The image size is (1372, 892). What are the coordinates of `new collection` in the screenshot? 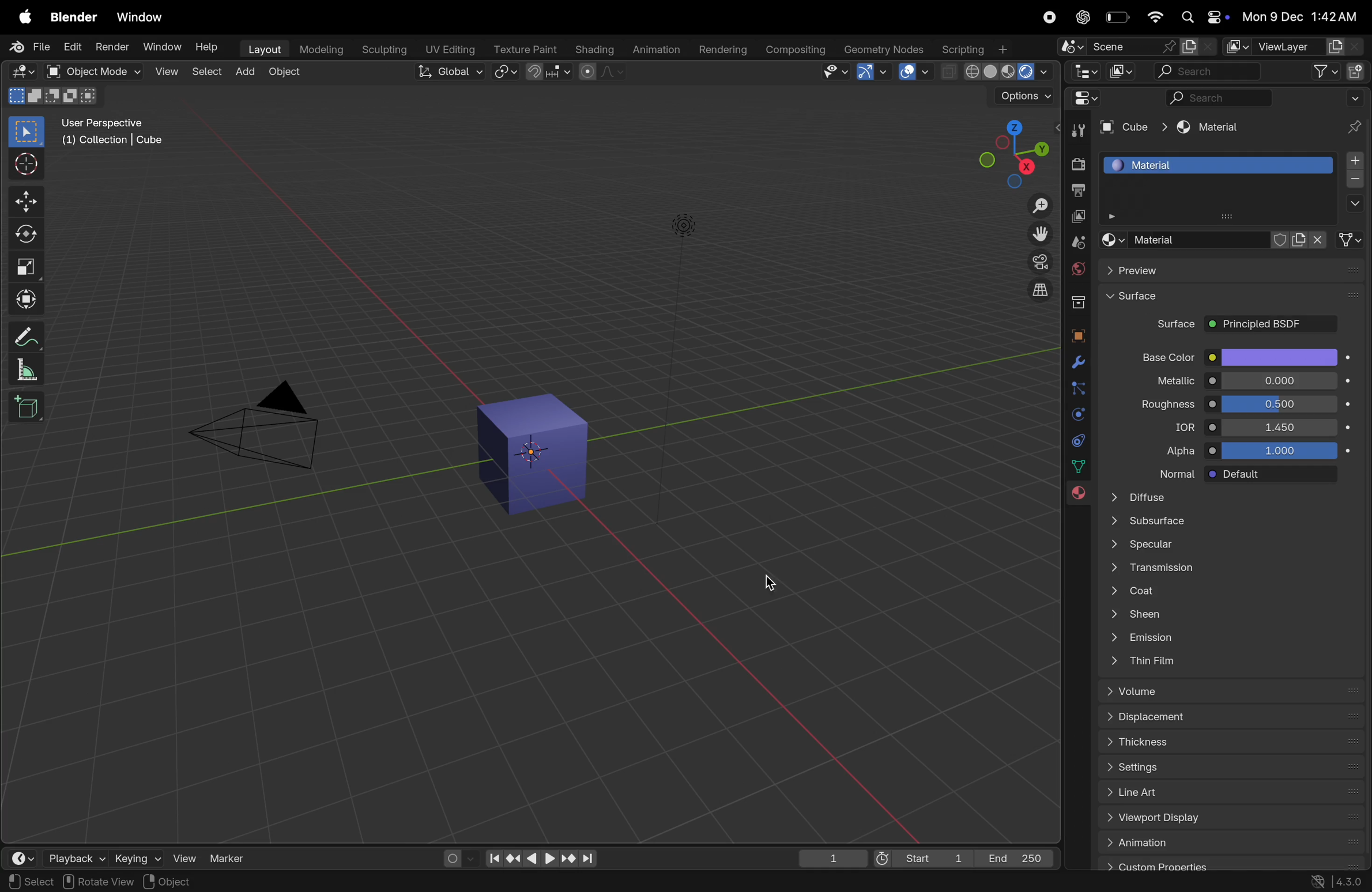 It's located at (1358, 70).